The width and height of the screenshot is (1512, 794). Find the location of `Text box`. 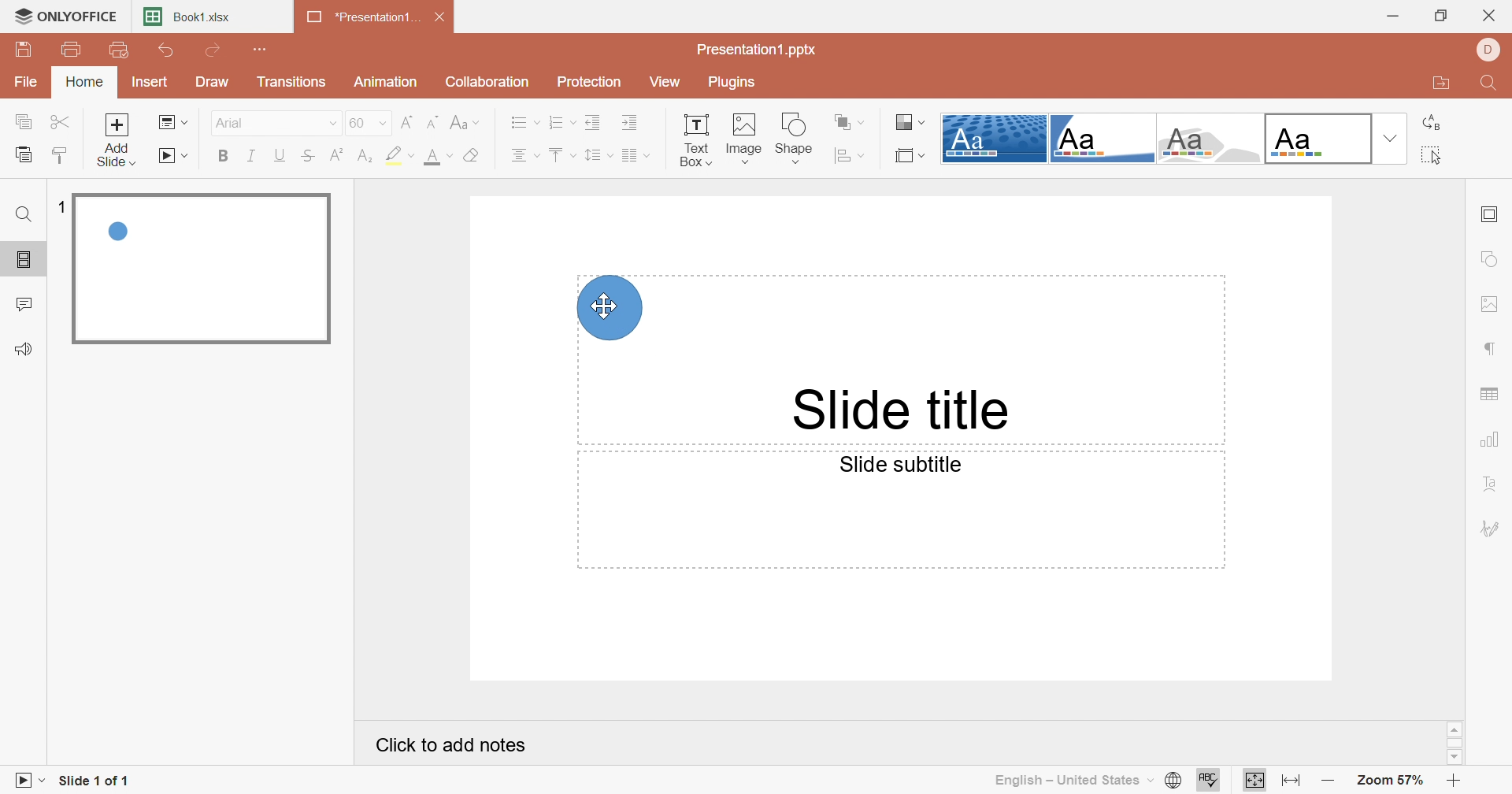

Text box is located at coordinates (695, 139).